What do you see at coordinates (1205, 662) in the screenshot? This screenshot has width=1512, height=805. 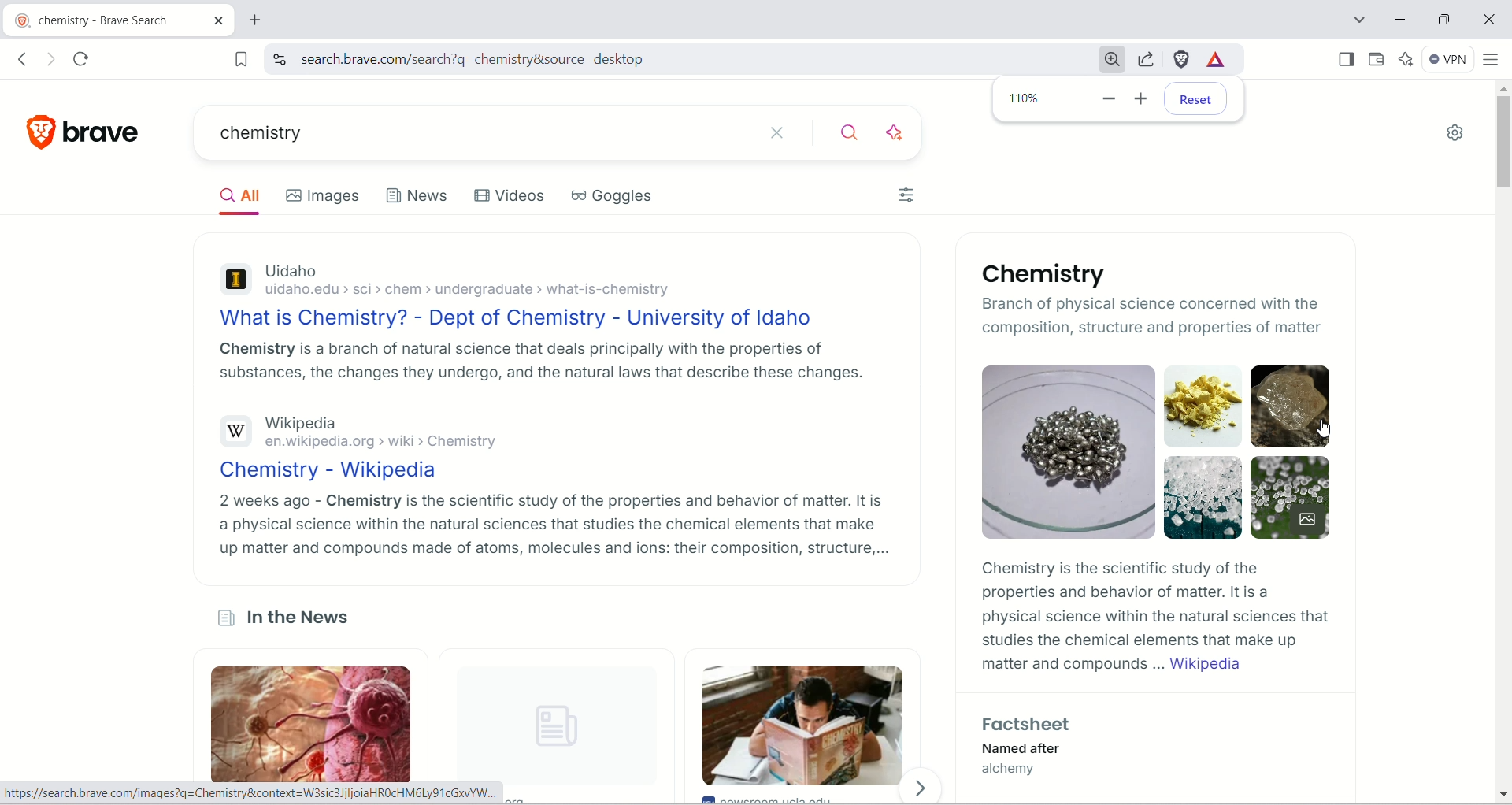 I see `Wikipedia link` at bounding box center [1205, 662].